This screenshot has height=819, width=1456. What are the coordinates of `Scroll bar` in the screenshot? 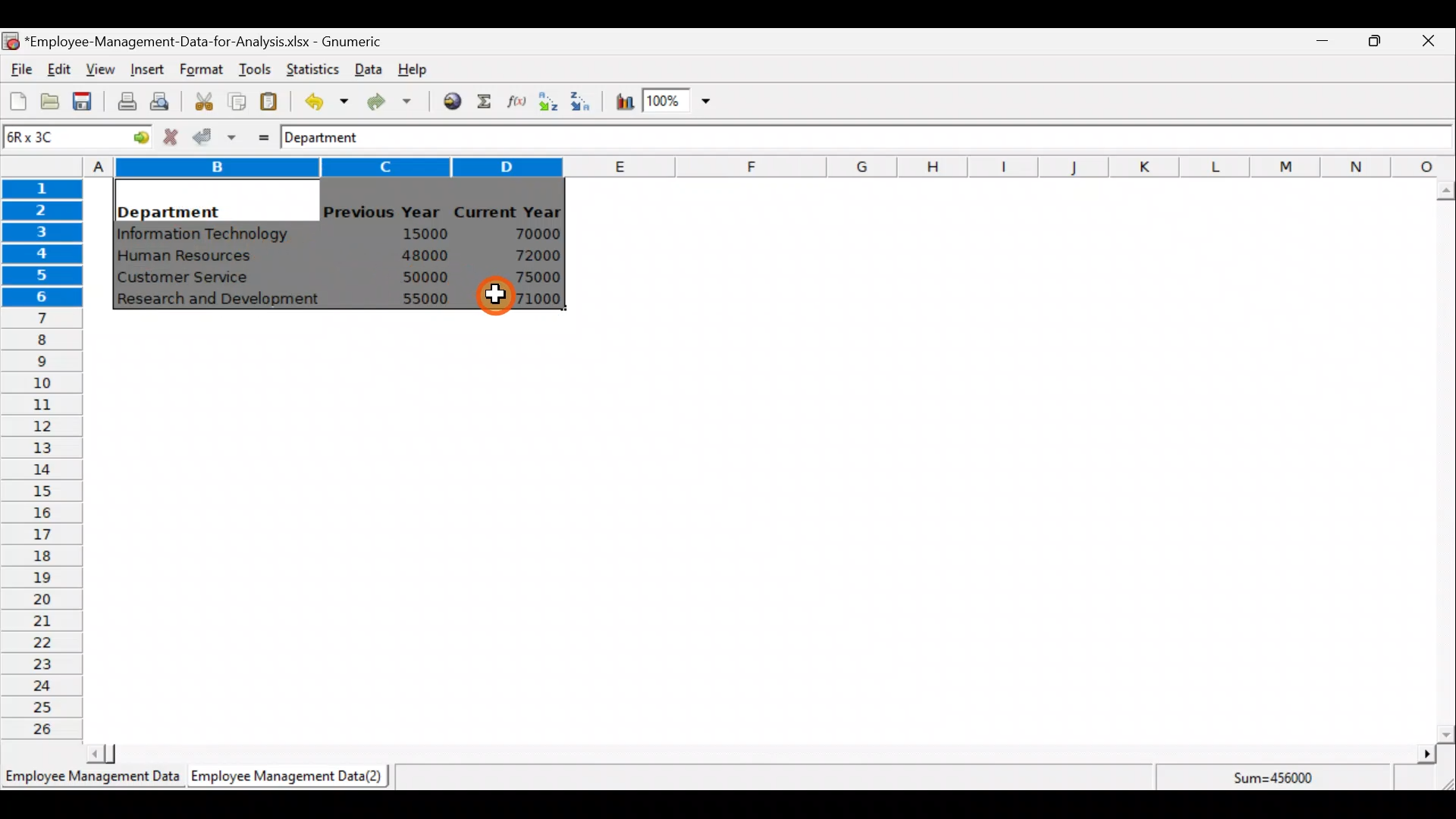 It's located at (1445, 462).